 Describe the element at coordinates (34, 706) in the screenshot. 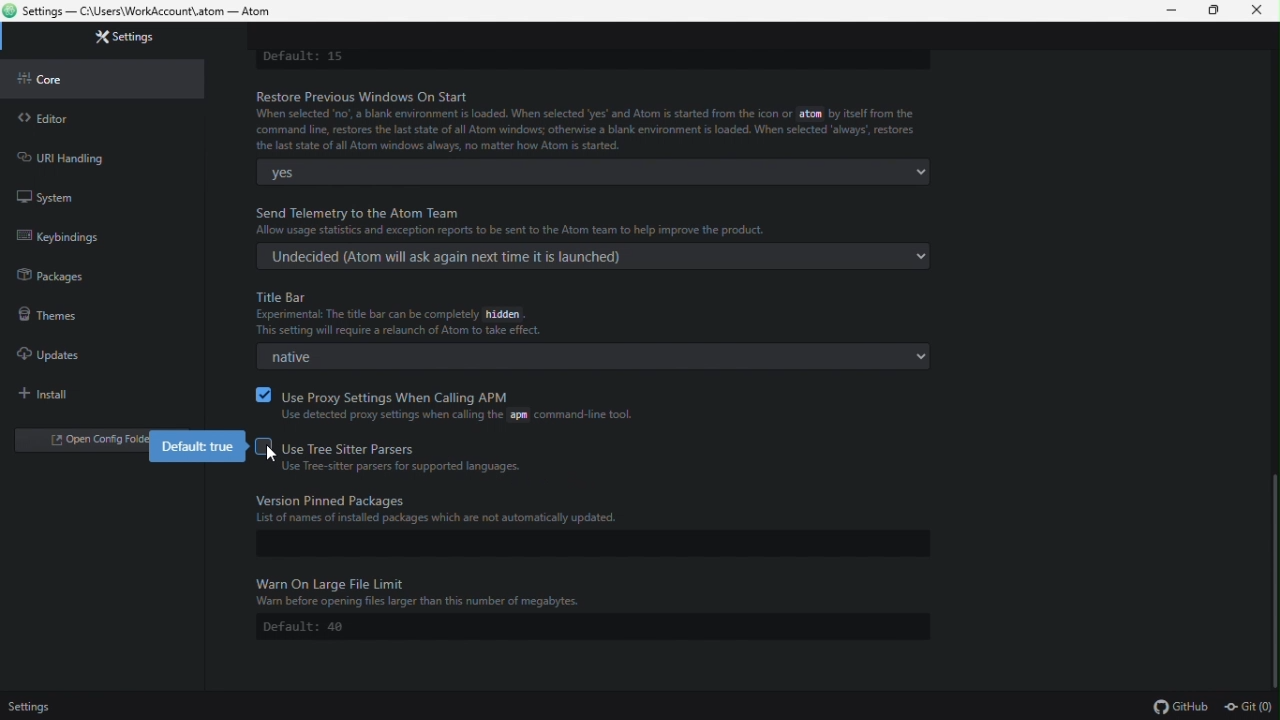

I see `Settings` at that location.